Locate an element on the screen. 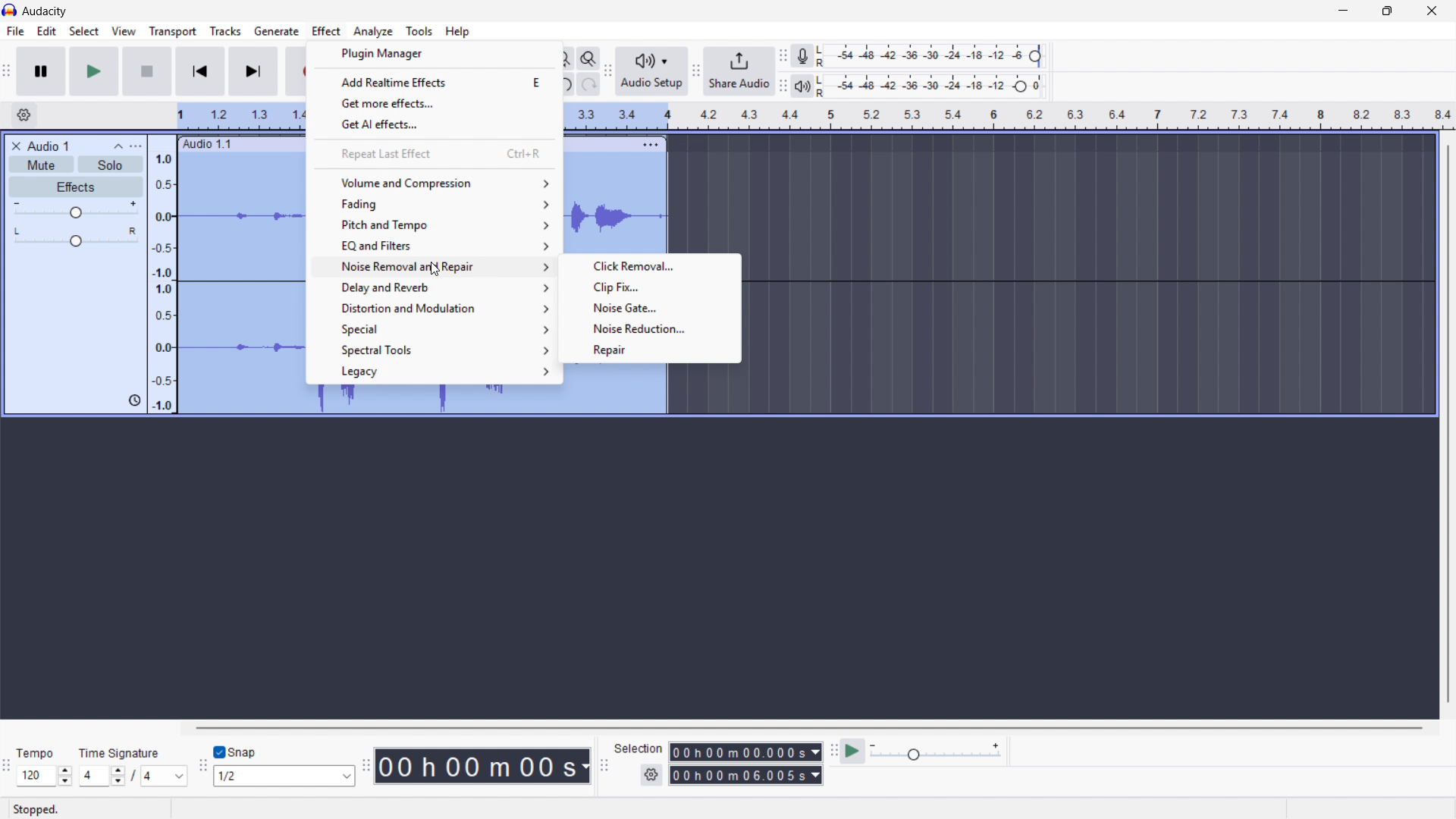 The width and height of the screenshot is (1456, 819). Time signature toolbar is located at coordinates (8, 768).